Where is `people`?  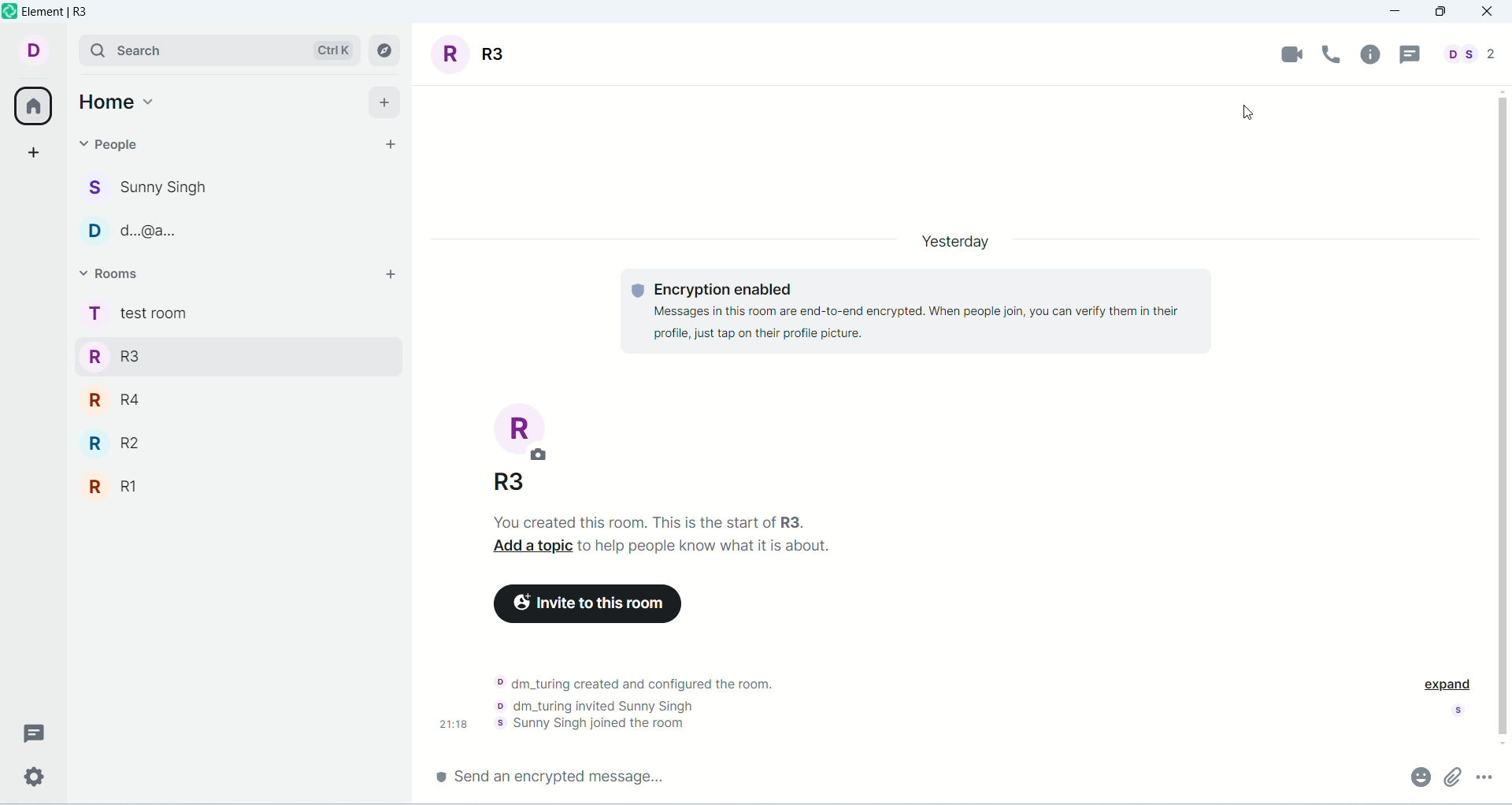
people is located at coordinates (112, 143).